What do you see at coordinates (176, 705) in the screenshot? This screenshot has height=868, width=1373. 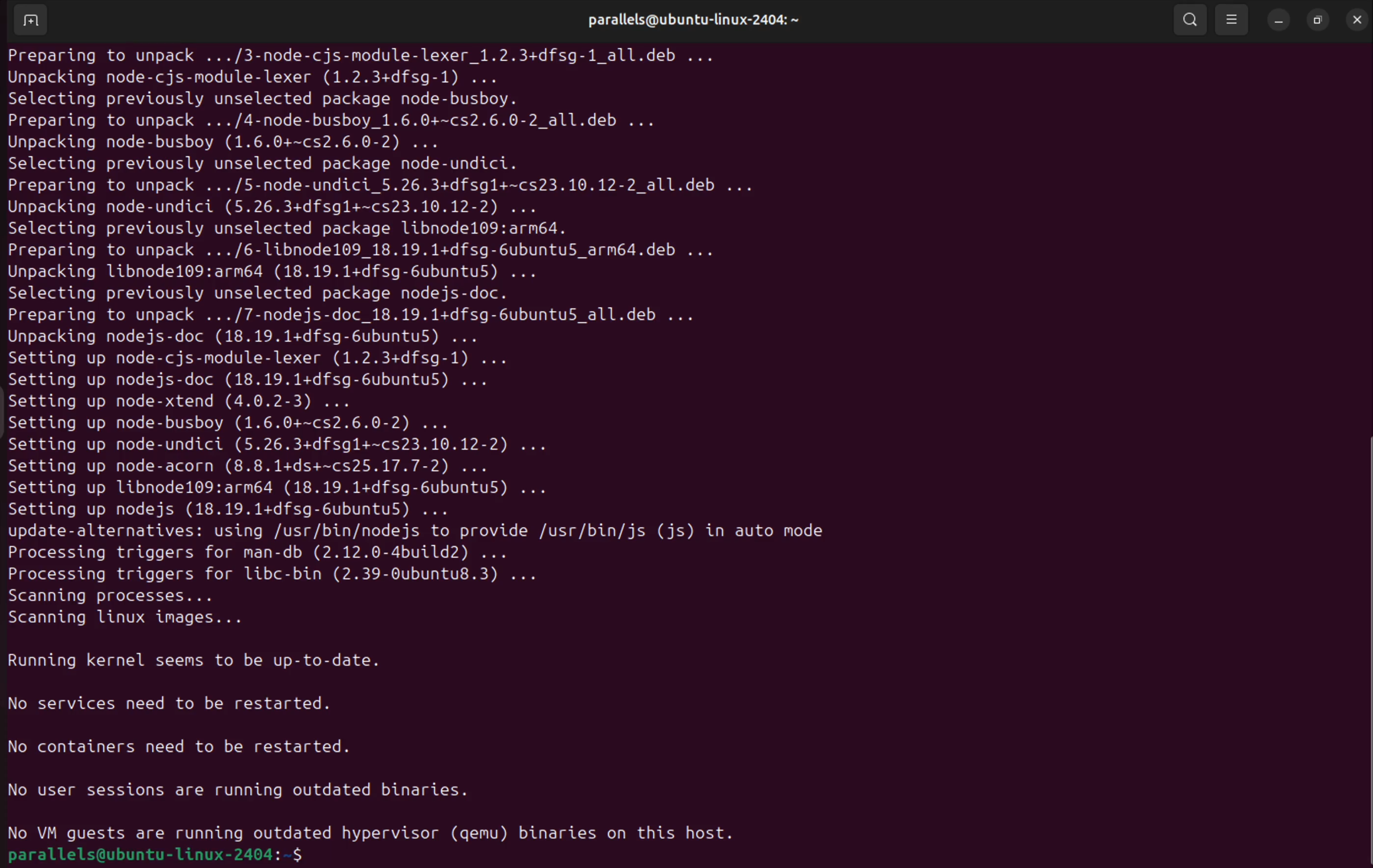 I see `No services need to be restarted.` at bounding box center [176, 705].